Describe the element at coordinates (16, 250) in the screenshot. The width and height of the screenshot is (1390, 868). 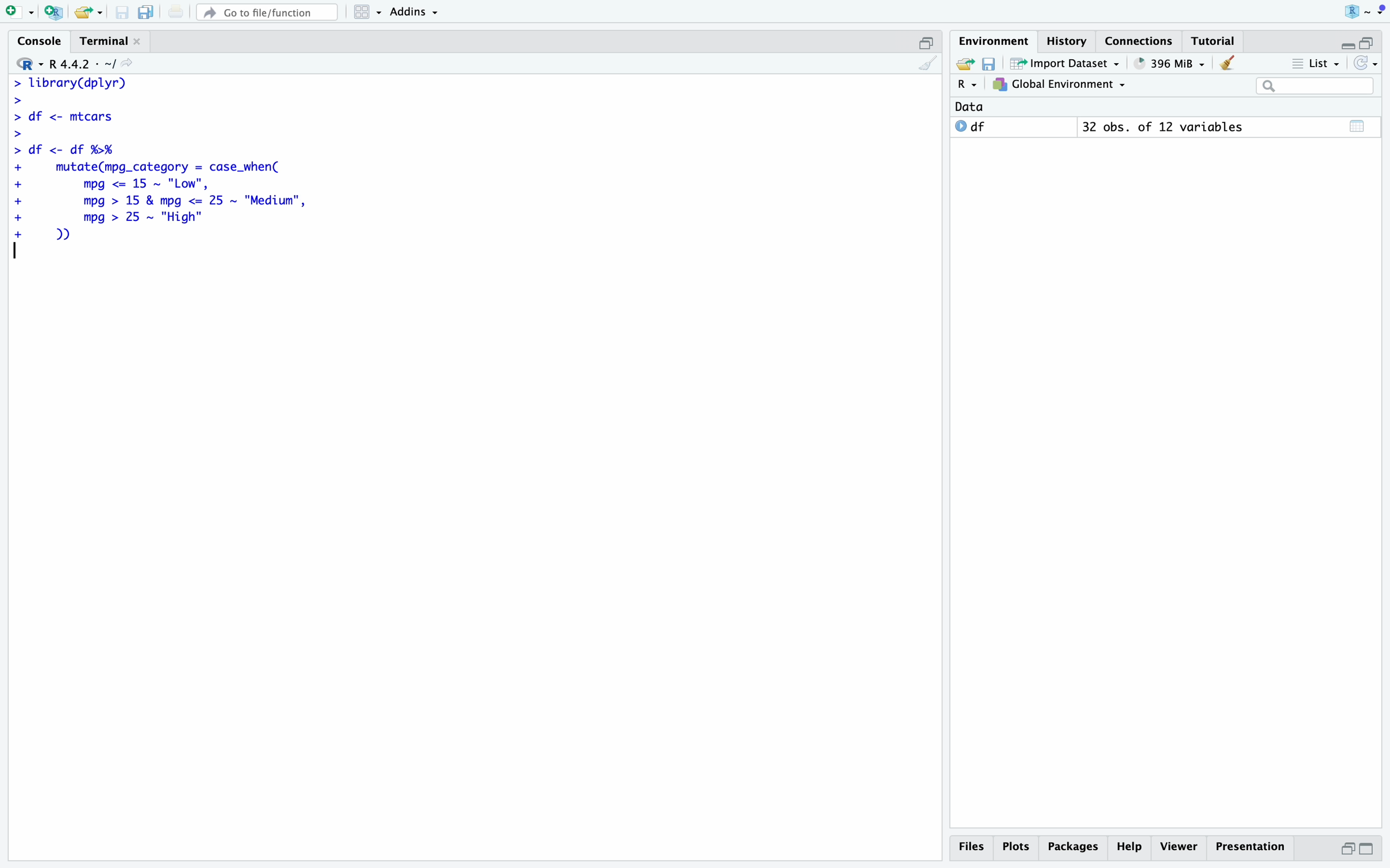
I see `typing indicator ` at that location.